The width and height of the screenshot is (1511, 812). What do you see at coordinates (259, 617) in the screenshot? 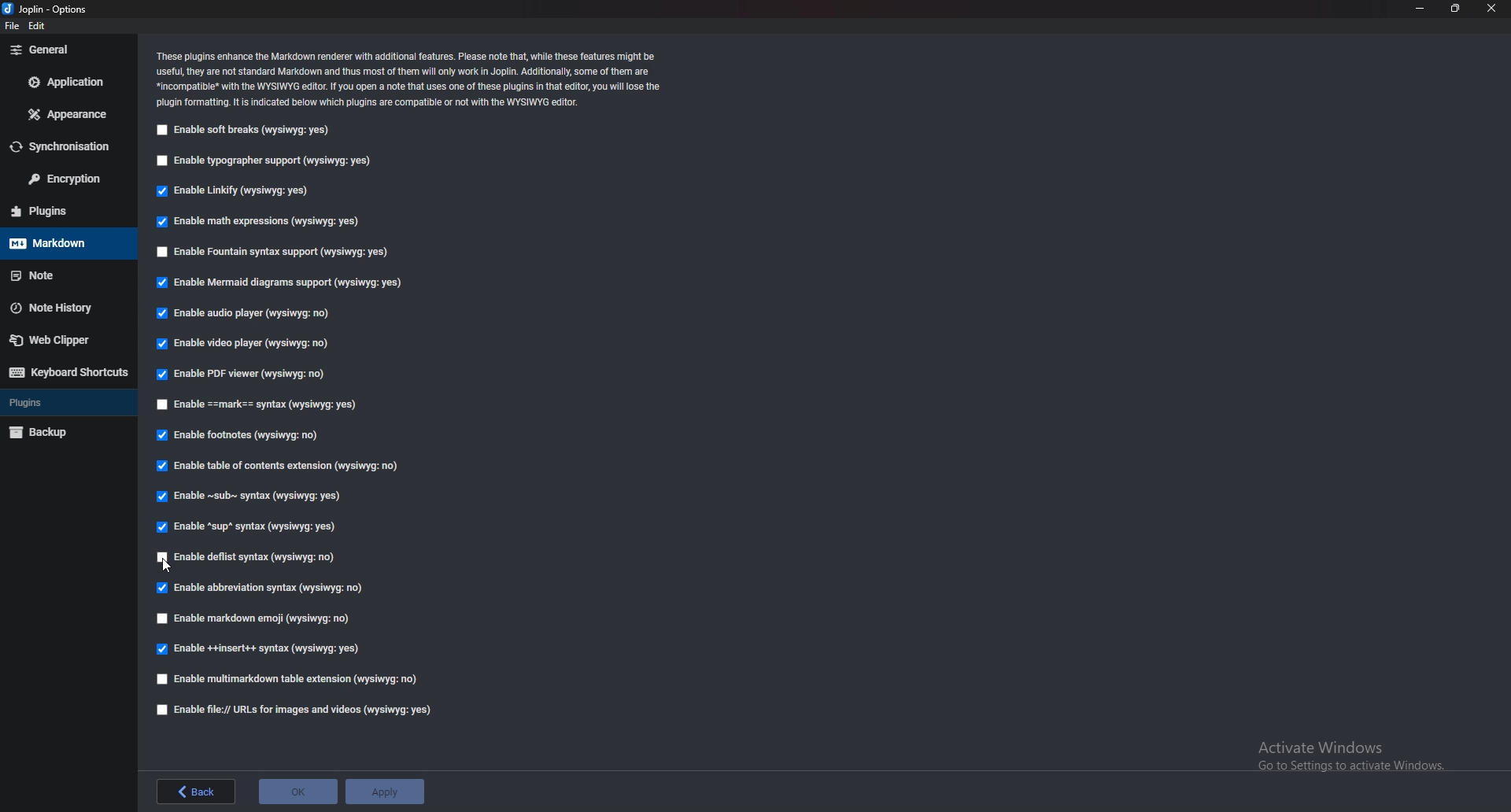
I see `enable markdown emoji` at bounding box center [259, 617].